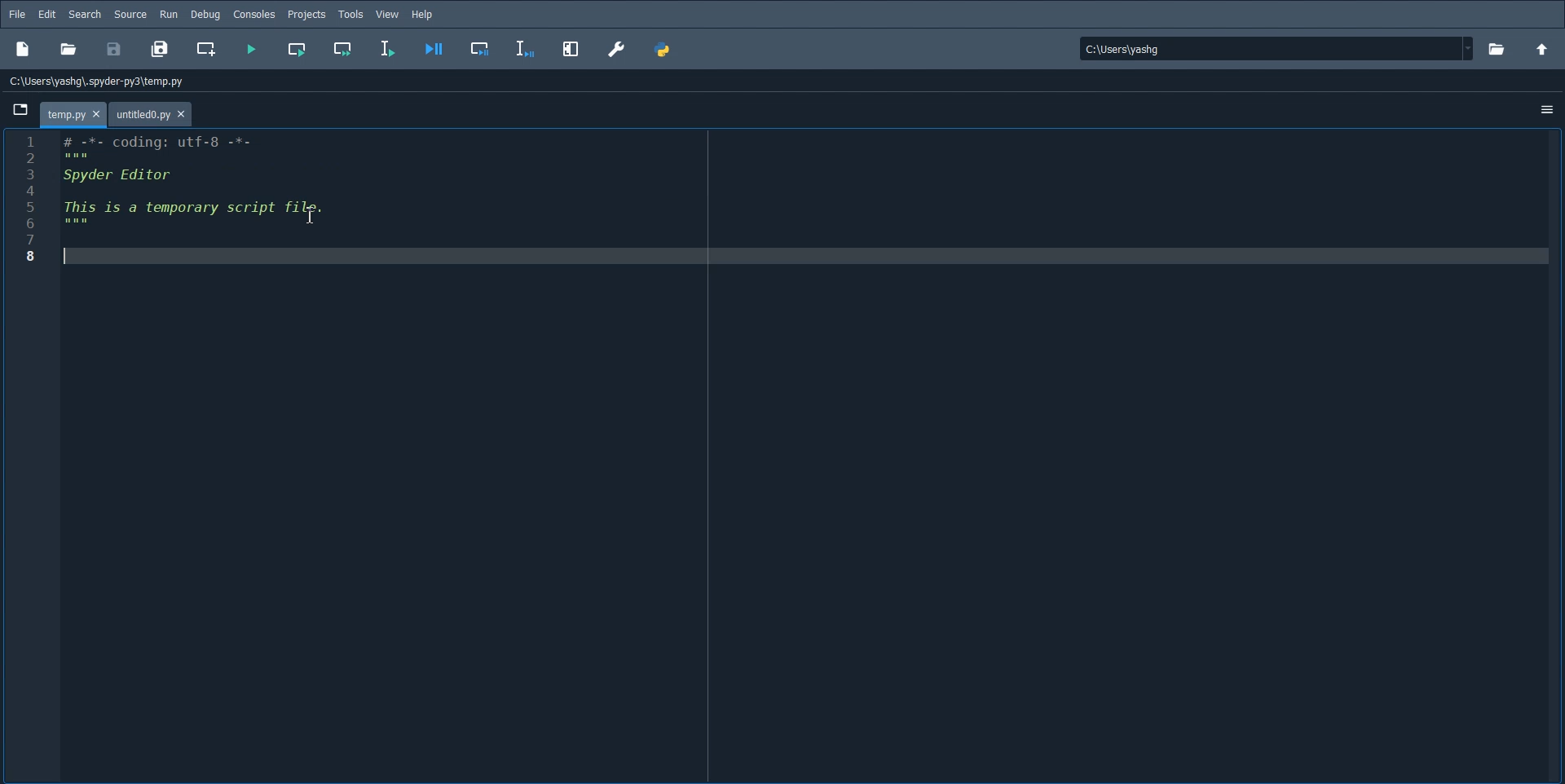  What do you see at coordinates (117, 49) in the screenshot?
I see `Save File` at bounding box center [117, 49].